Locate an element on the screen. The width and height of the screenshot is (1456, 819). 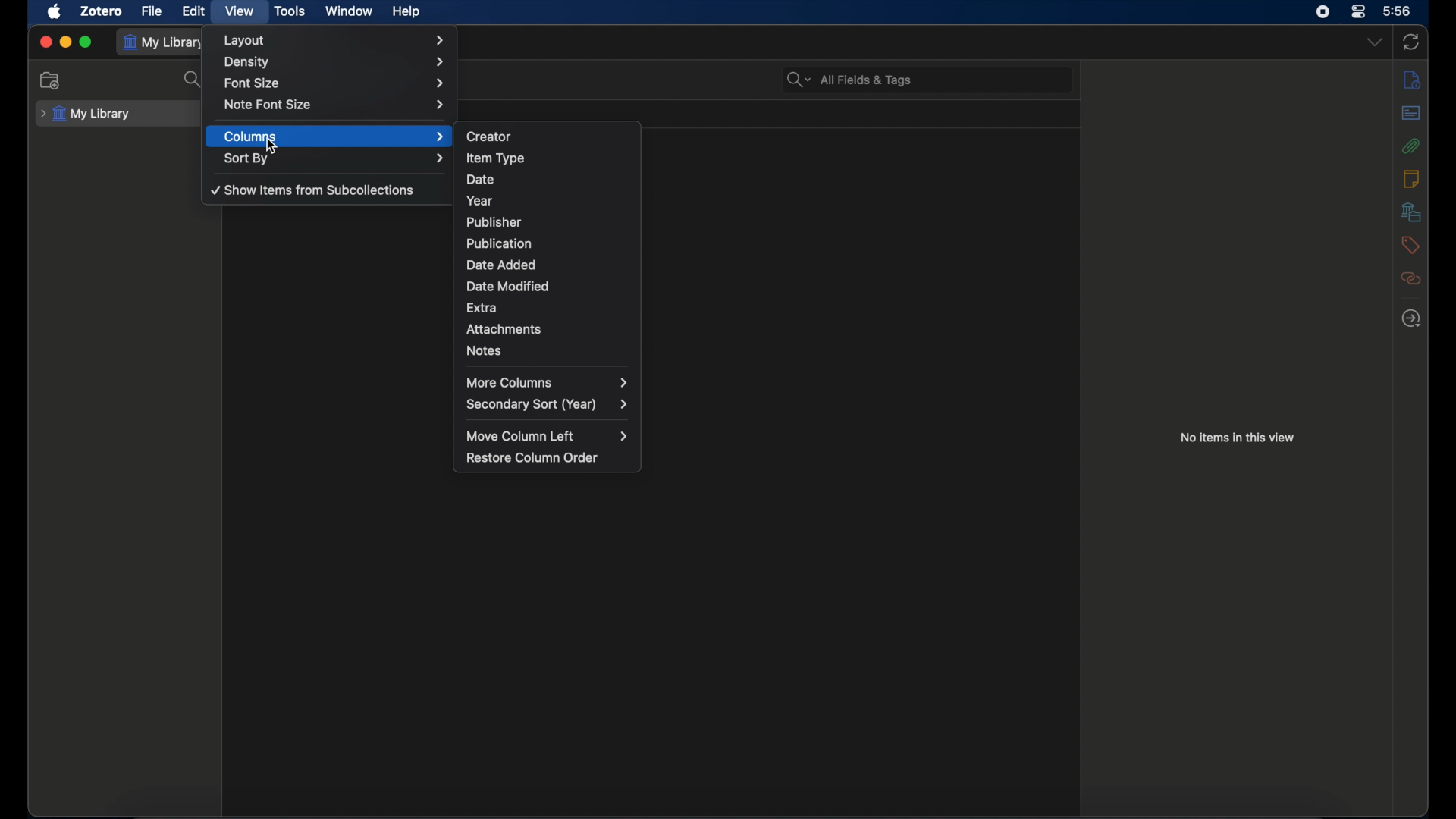
maximize is located at coordinates (86, 42).